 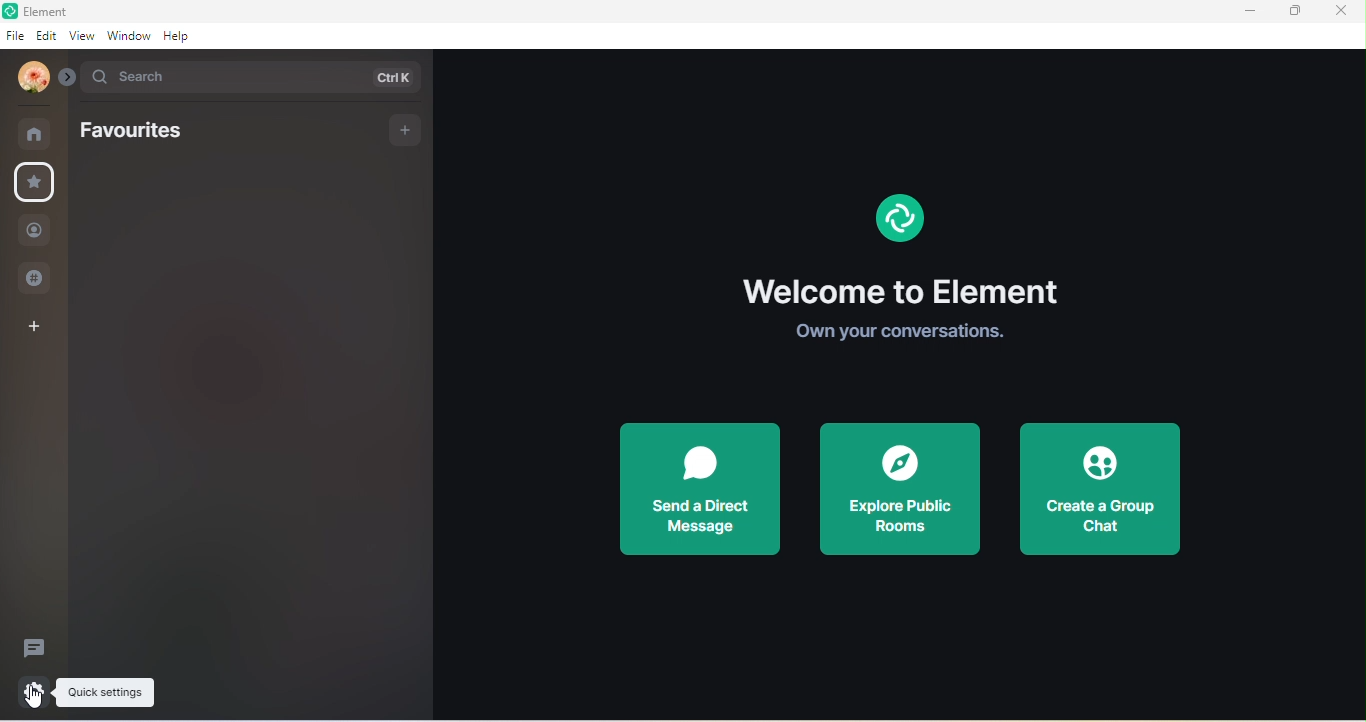 What do you see at coordinates (38, 645) in the screenshot?
I see `threads` at bounding box center [38, 645].